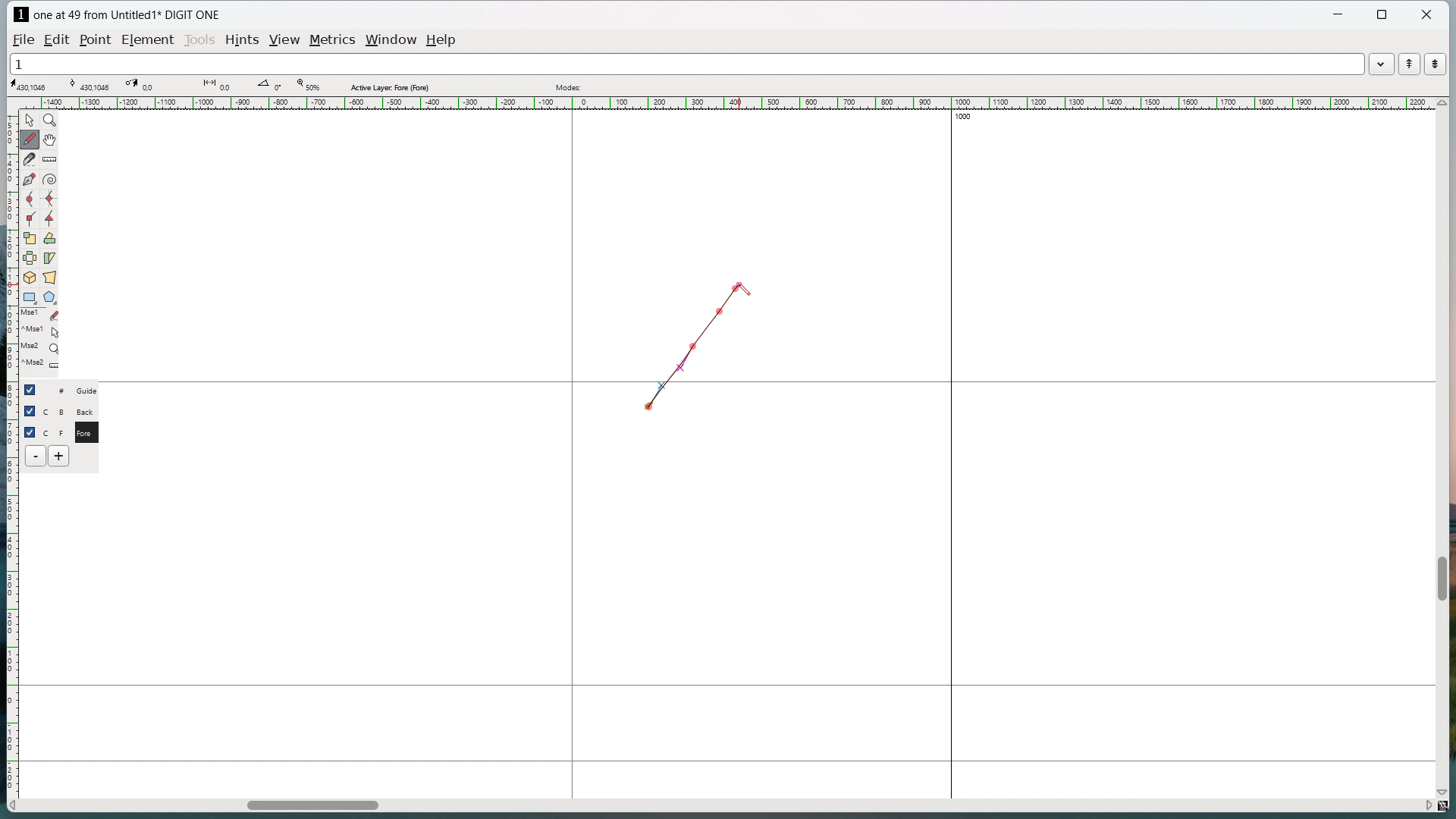 Image resolution: width=1456 pixels, height=819 pixels. Describe the element at coordinates (50, 297) in the screenshot. I see `polygon/star` at that location.